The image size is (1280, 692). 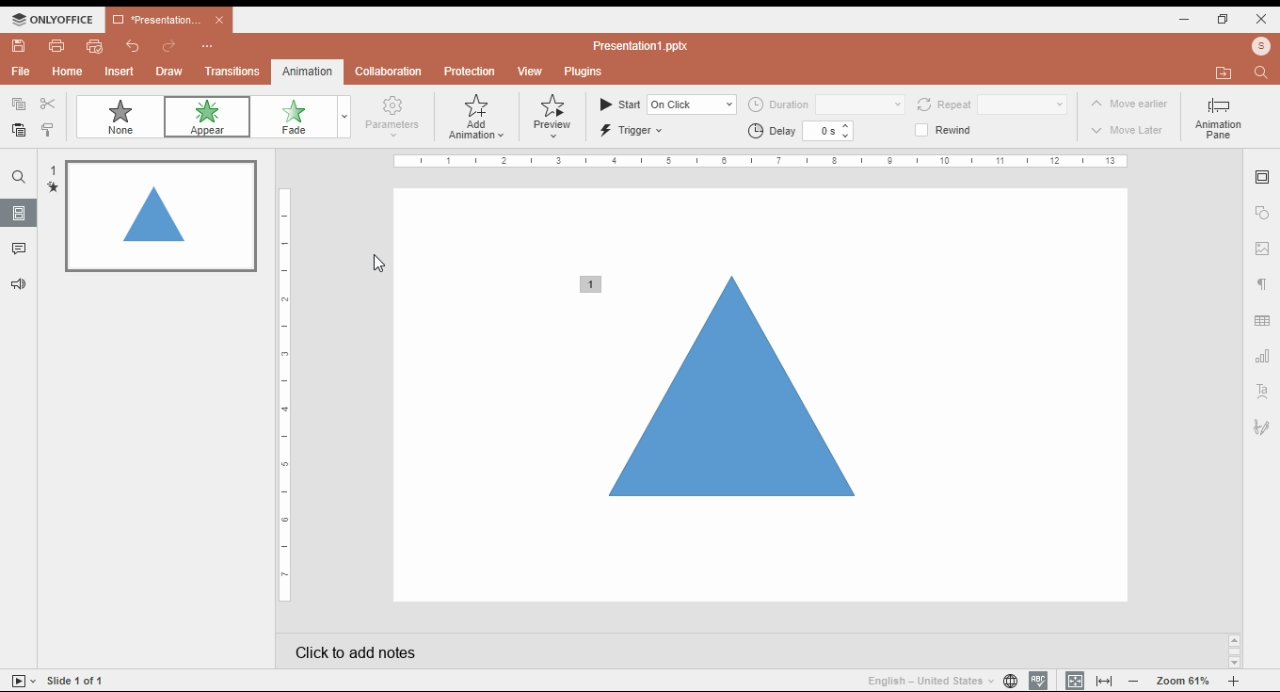 What do you see at coordinates (557, 119) in the screenshot?
I see `preview` at bounding box center [557, 119].